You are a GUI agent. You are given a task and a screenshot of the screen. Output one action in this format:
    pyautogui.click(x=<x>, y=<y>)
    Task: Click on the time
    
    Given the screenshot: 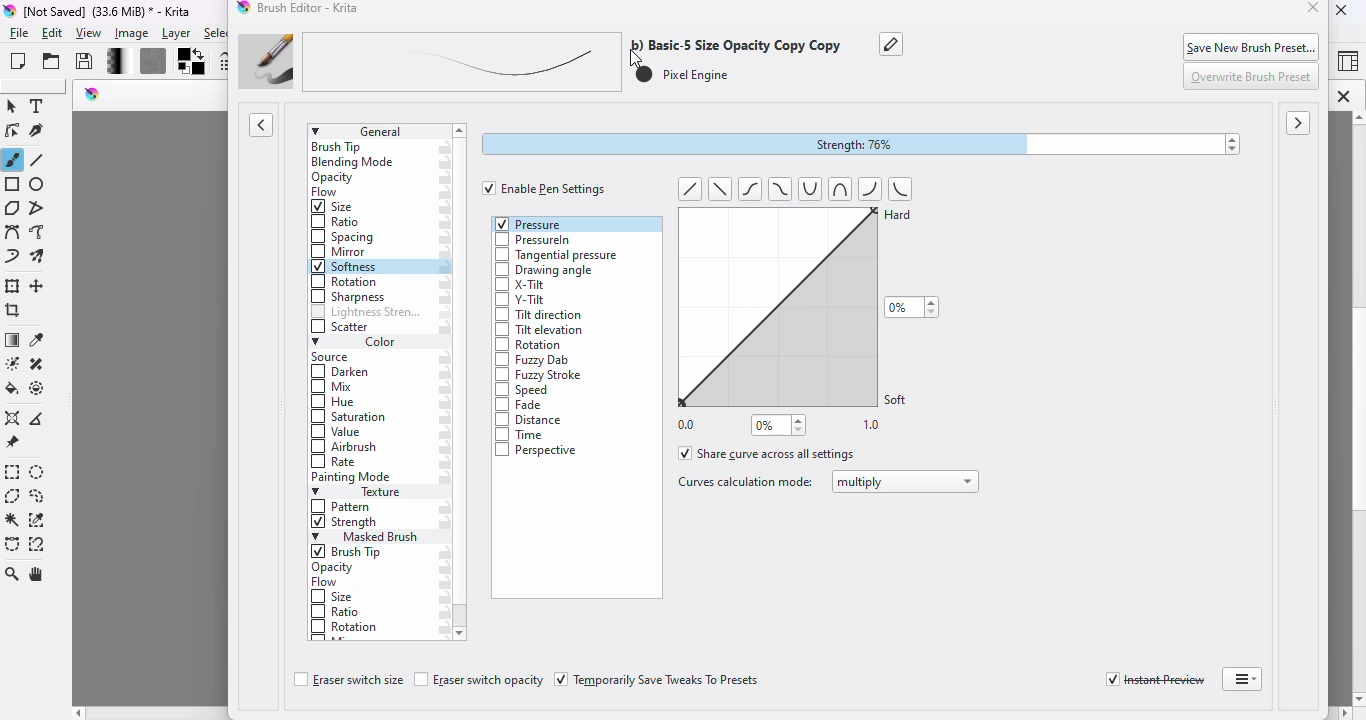 What is the action you would take?
    pyautogui.click(x=523, y=435)
    